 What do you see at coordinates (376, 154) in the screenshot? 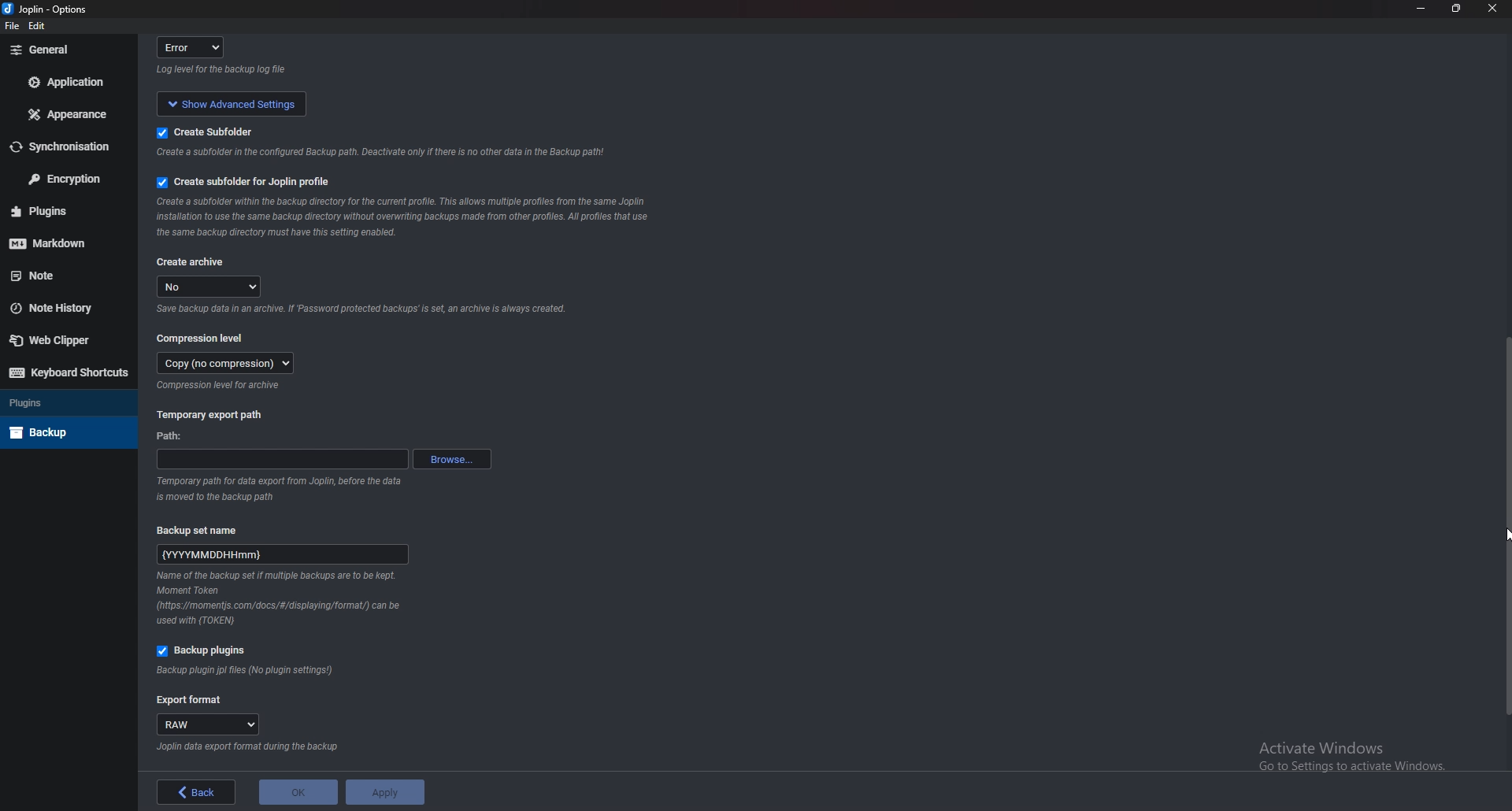
I see `info` at bounding box center [376, 154].